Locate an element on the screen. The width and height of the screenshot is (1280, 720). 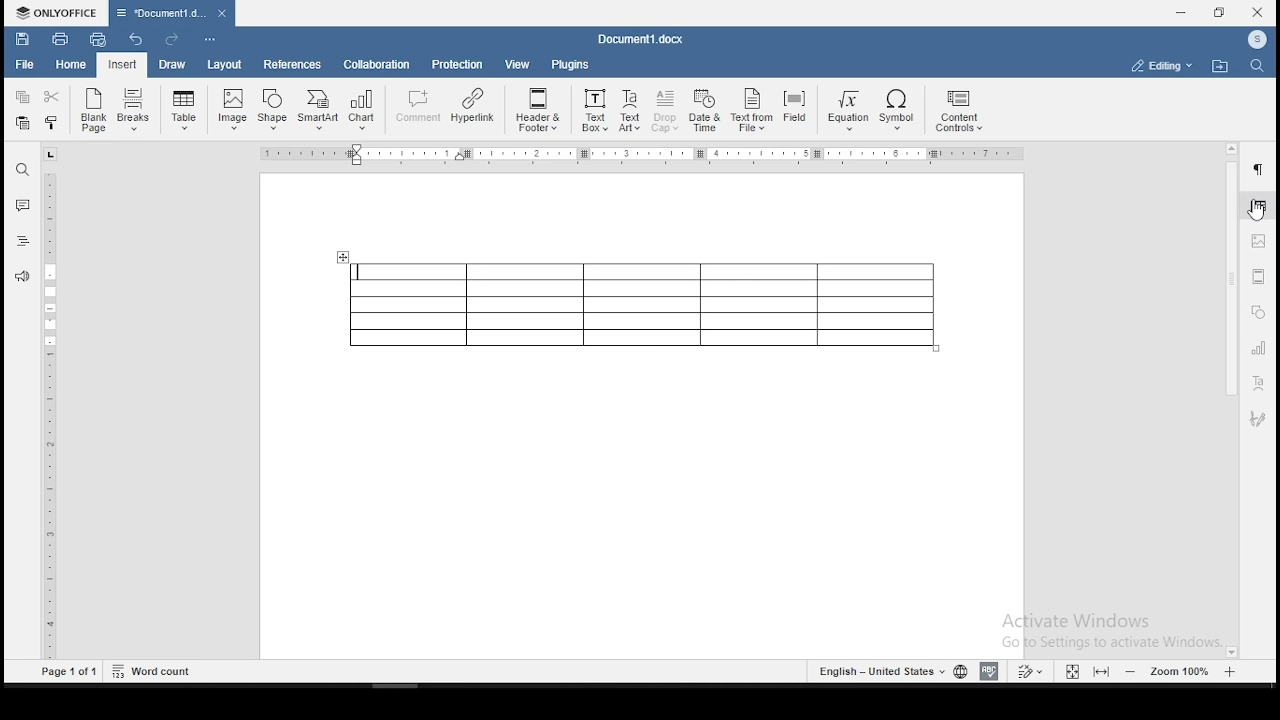
redo is located at coordinates (170, 39).